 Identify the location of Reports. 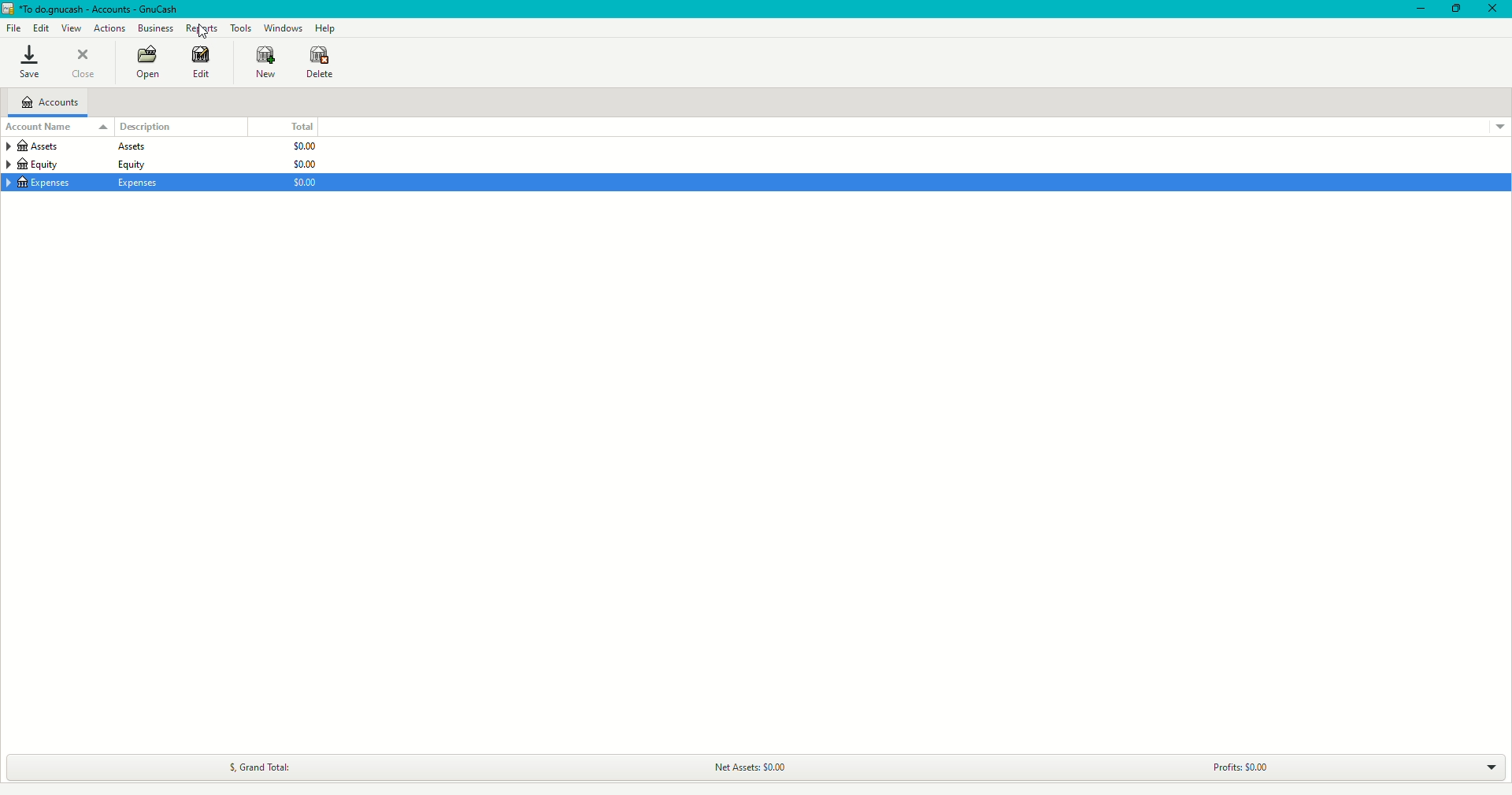
(202, 29).